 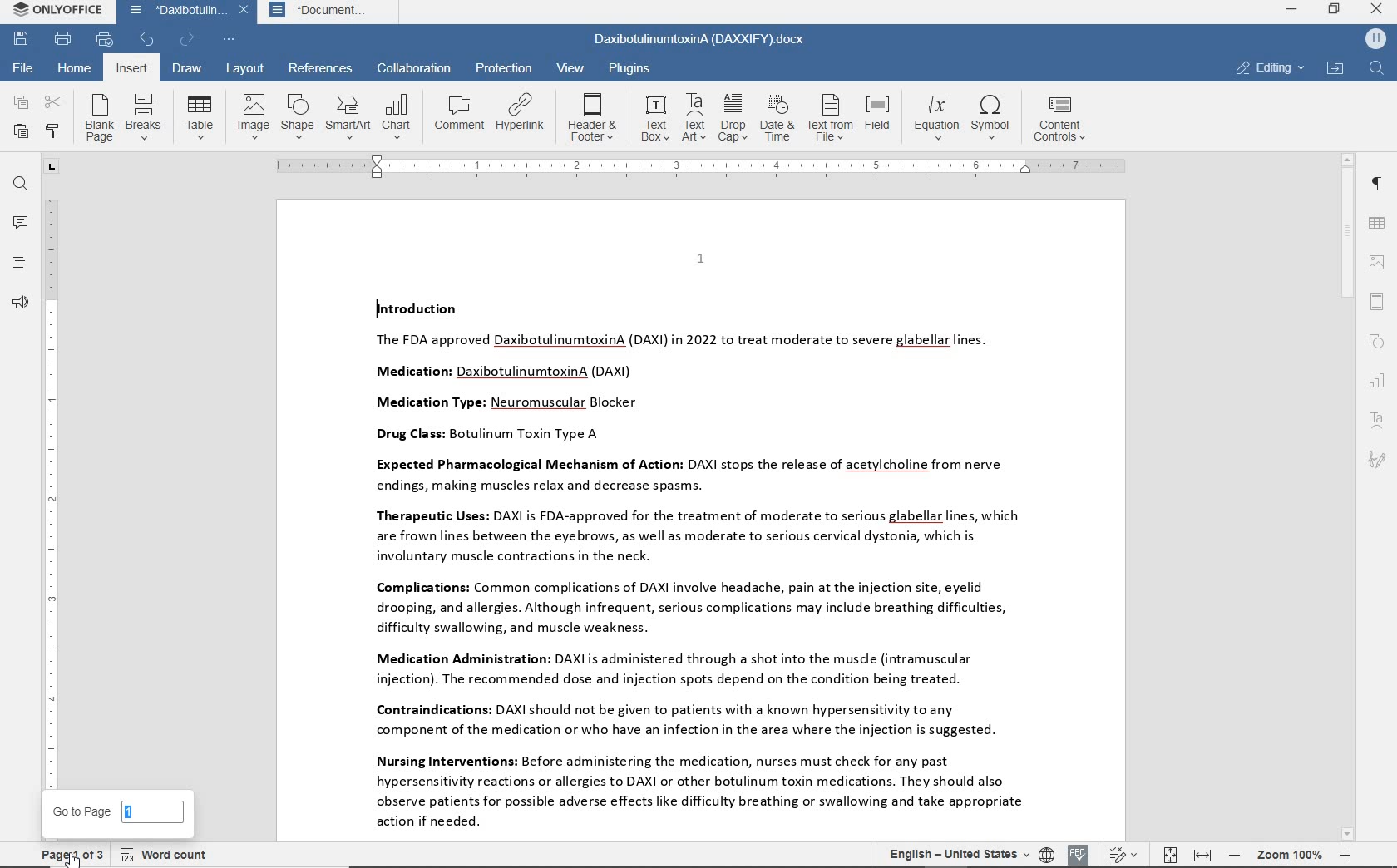 What do you see at coordinates (502, 68) in the screenshot?
I see `protection` at bounding box center [502, 68].